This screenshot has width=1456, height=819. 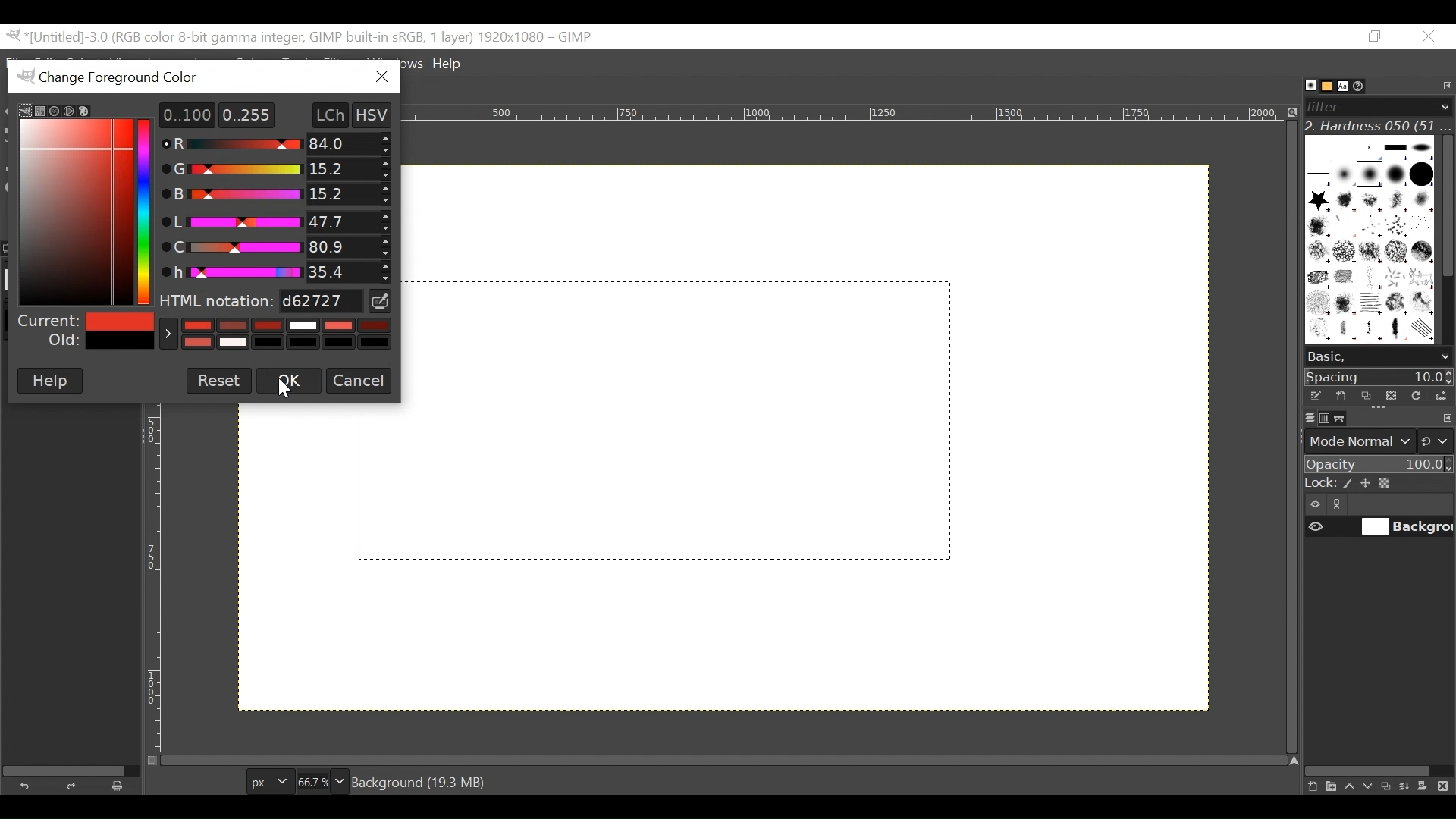 What do you see at coordinates (276, 246) in the screenshot?
I see `Chroma` at bounding box center [276, 246].